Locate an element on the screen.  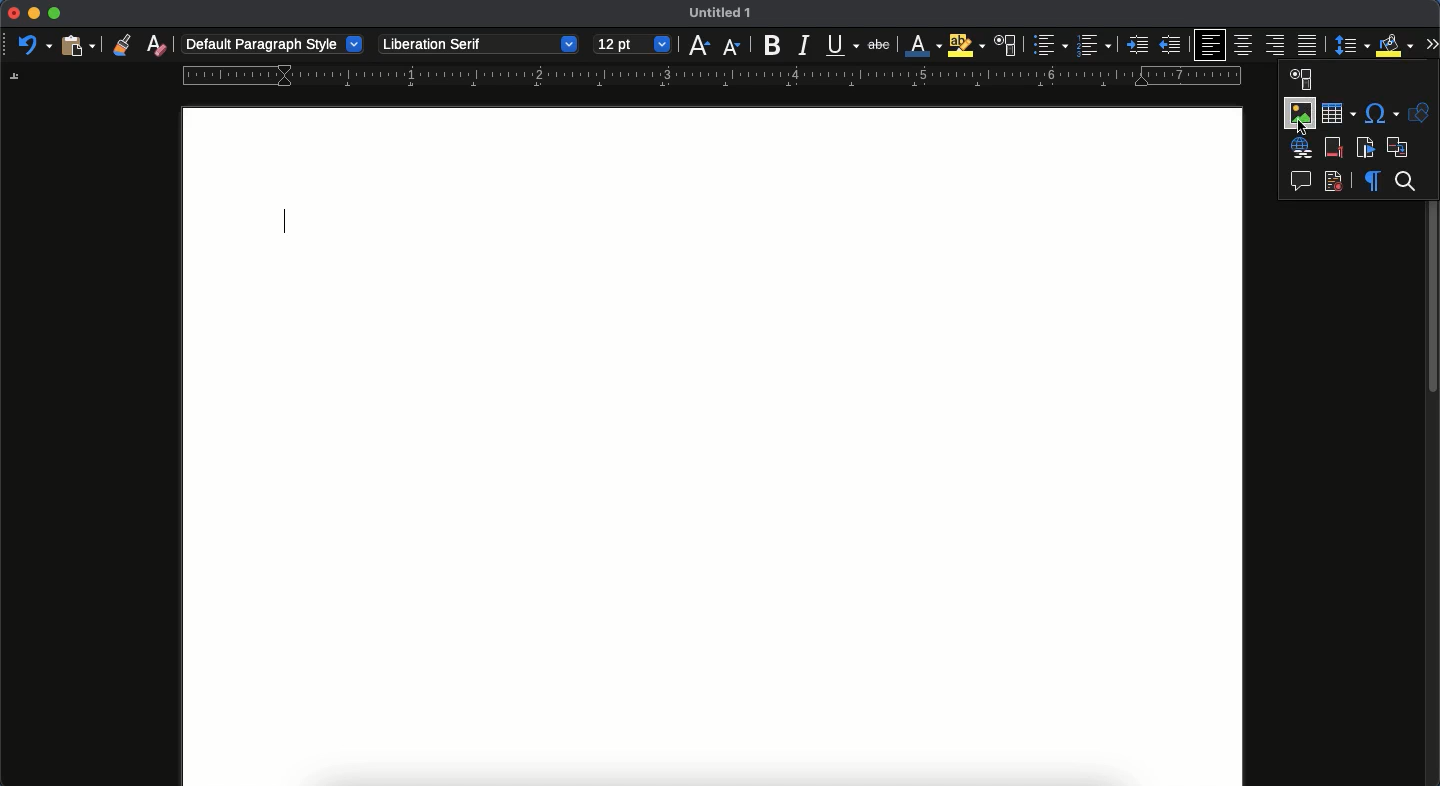
font color is located at coordinates (922, 45).